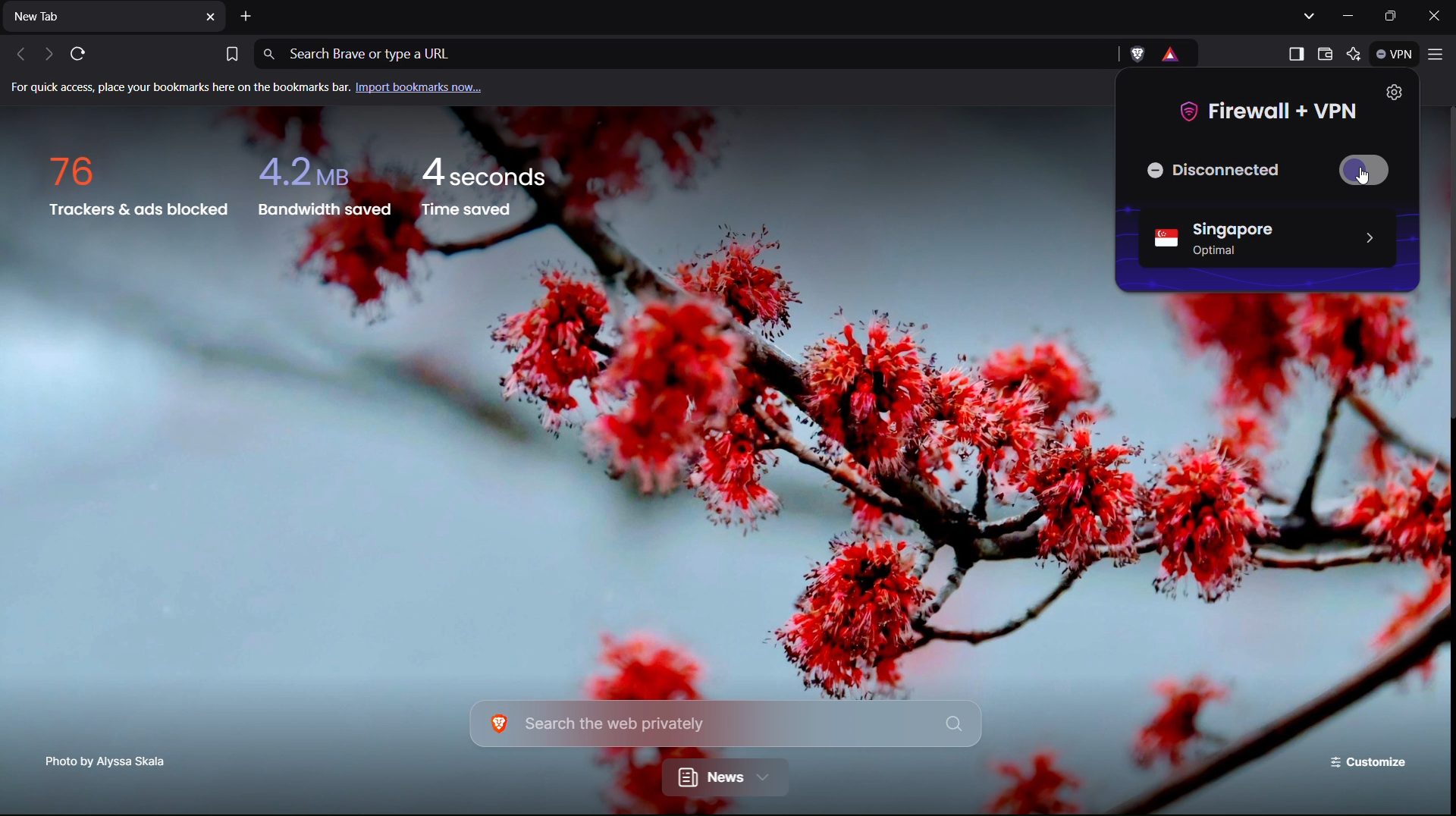 The height and width of the screenshot is (816, 1456). What do you see at coordinates (231, 52) in the screenshot?
I see `Bookmark` at bounding box center [231, 52].